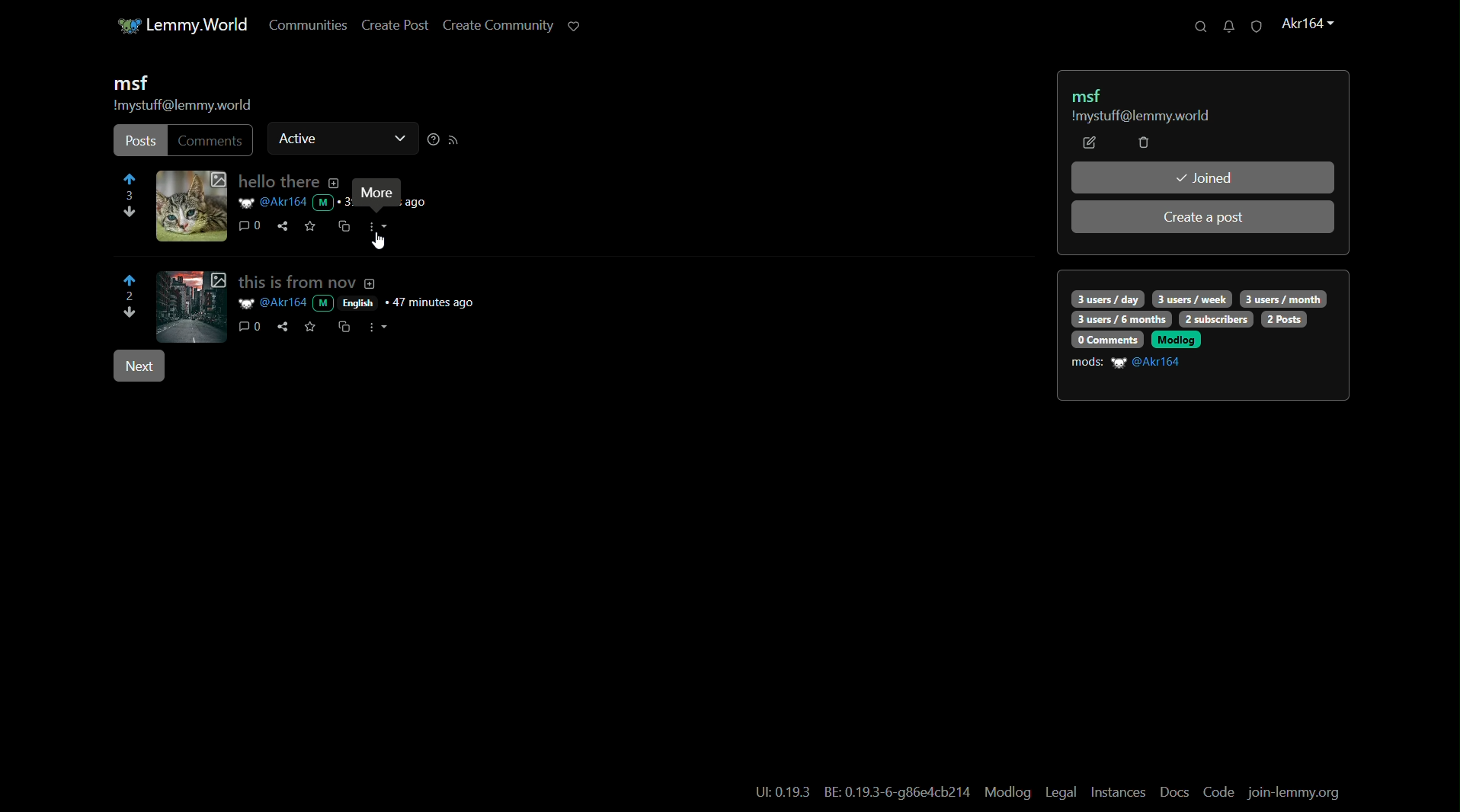  I want to click on upvote, so click(131, 280).